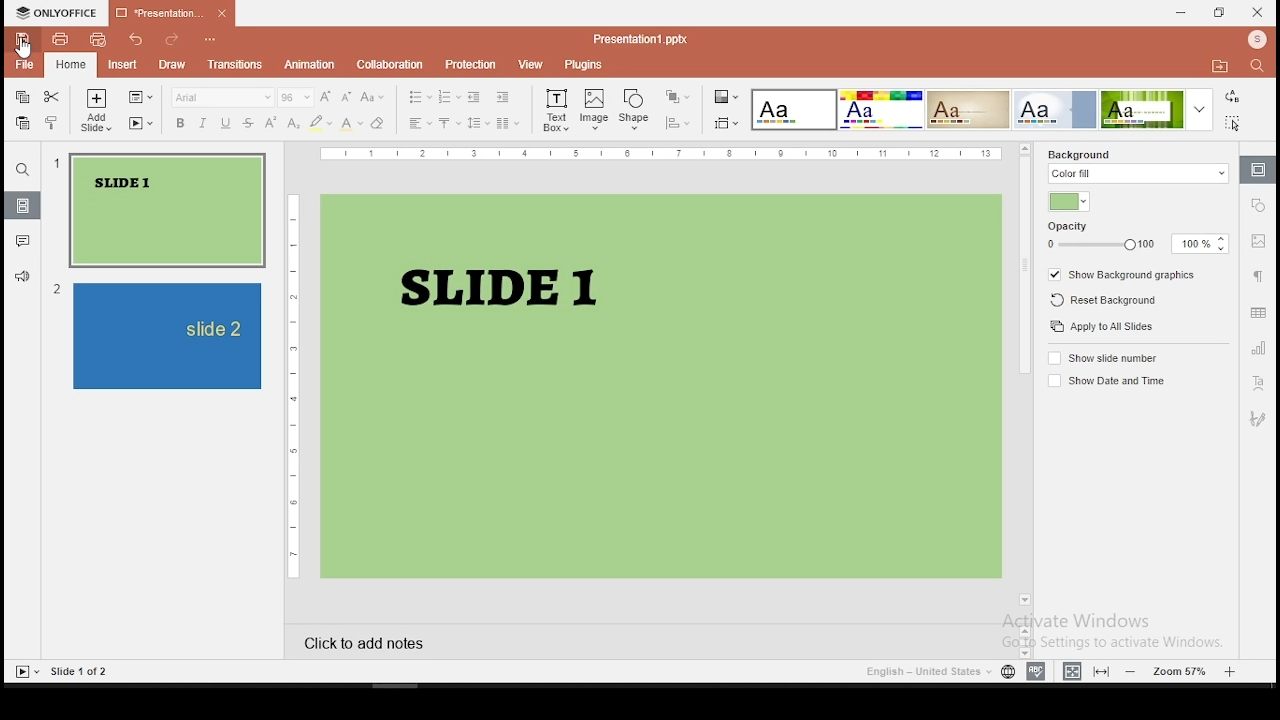  I want to click on redo, so click(168, 40).